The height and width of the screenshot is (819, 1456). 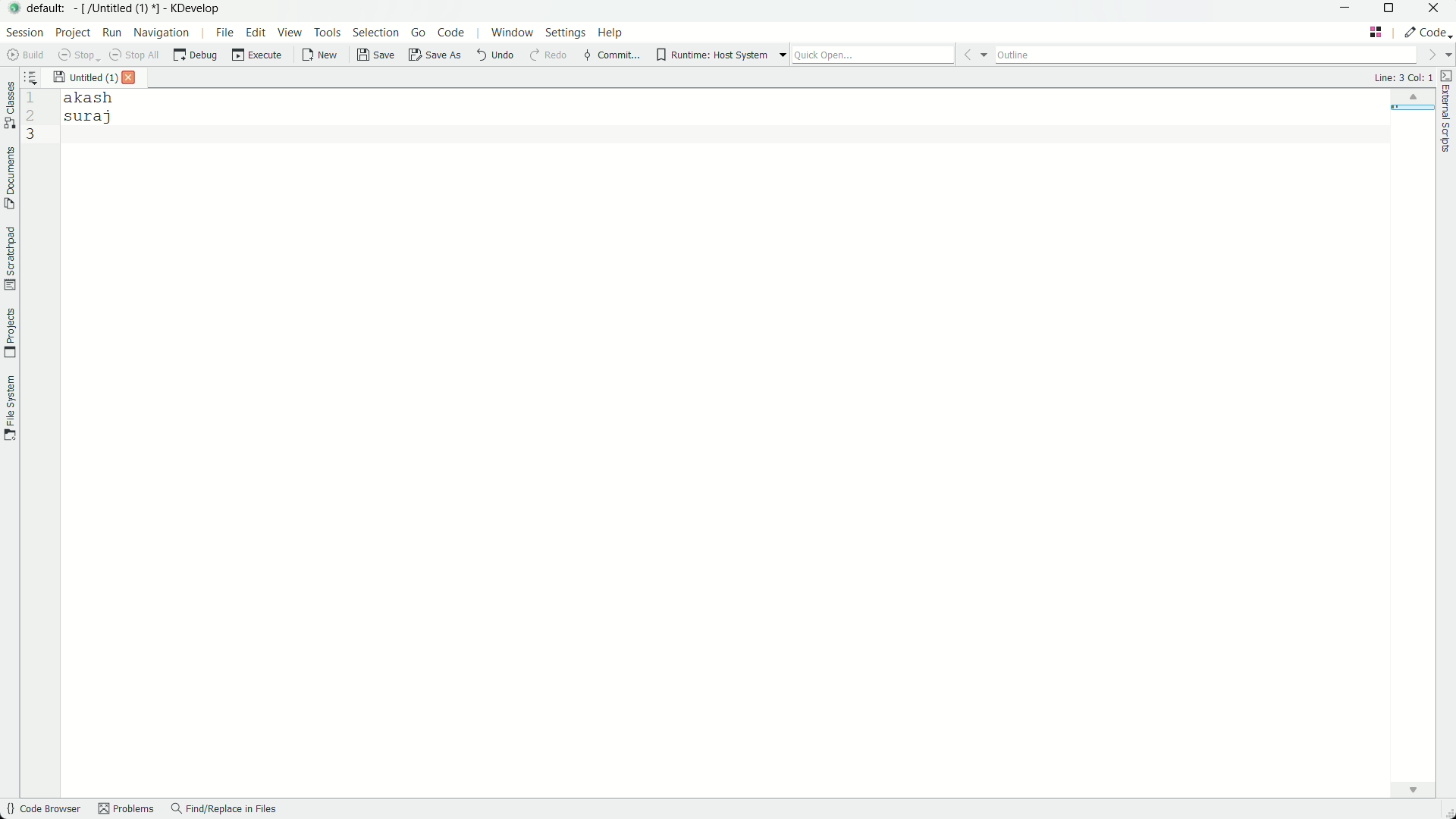 What do you see at coordinates (417, 33) in the screenshot?
I see `go menu` at bounding box center [417, 33].